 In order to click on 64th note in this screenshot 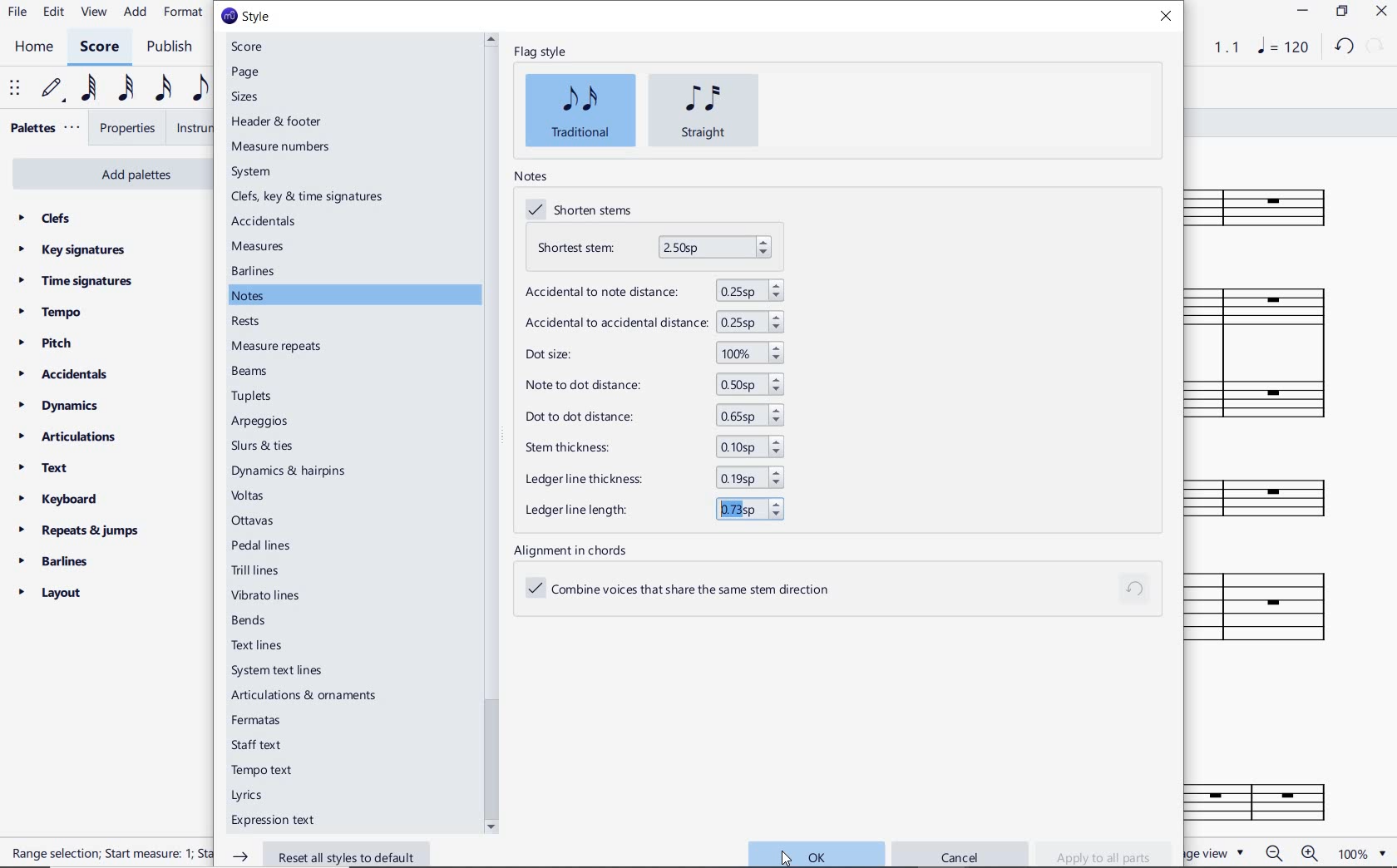, I will do `click(91, 88)`.